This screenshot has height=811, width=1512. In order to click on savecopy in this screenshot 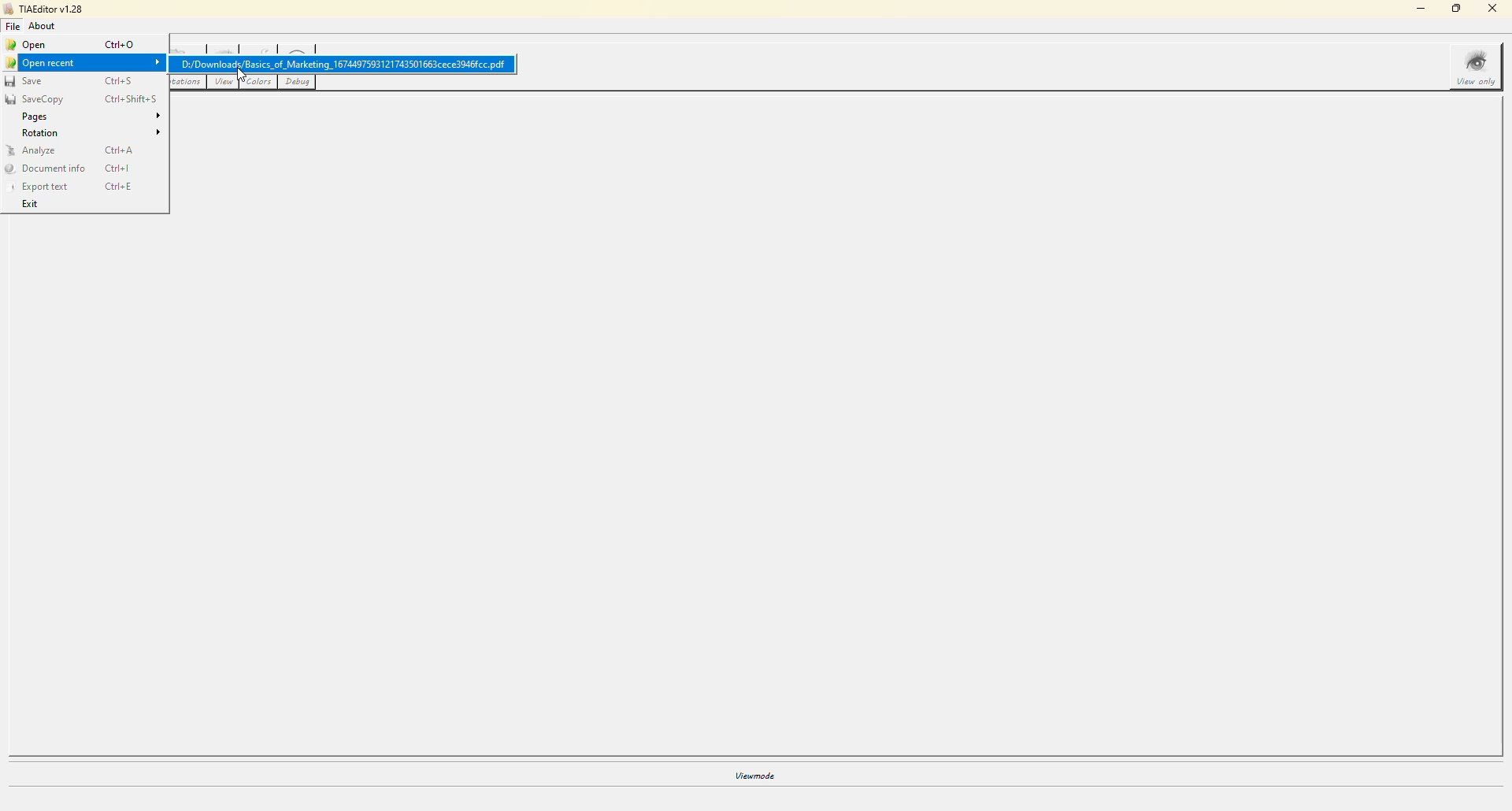, I will do `click(34, 100)`.